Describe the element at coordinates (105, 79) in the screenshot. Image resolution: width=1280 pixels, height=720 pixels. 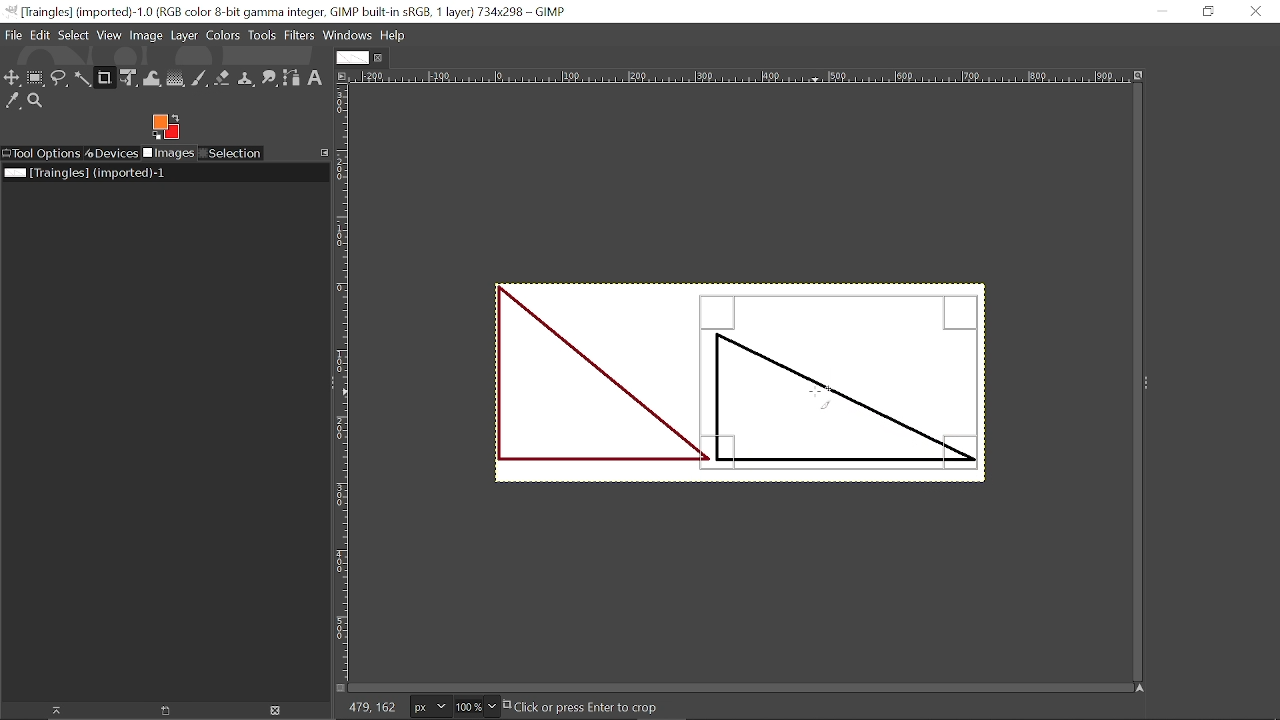
I see `Crop tool` at that location.